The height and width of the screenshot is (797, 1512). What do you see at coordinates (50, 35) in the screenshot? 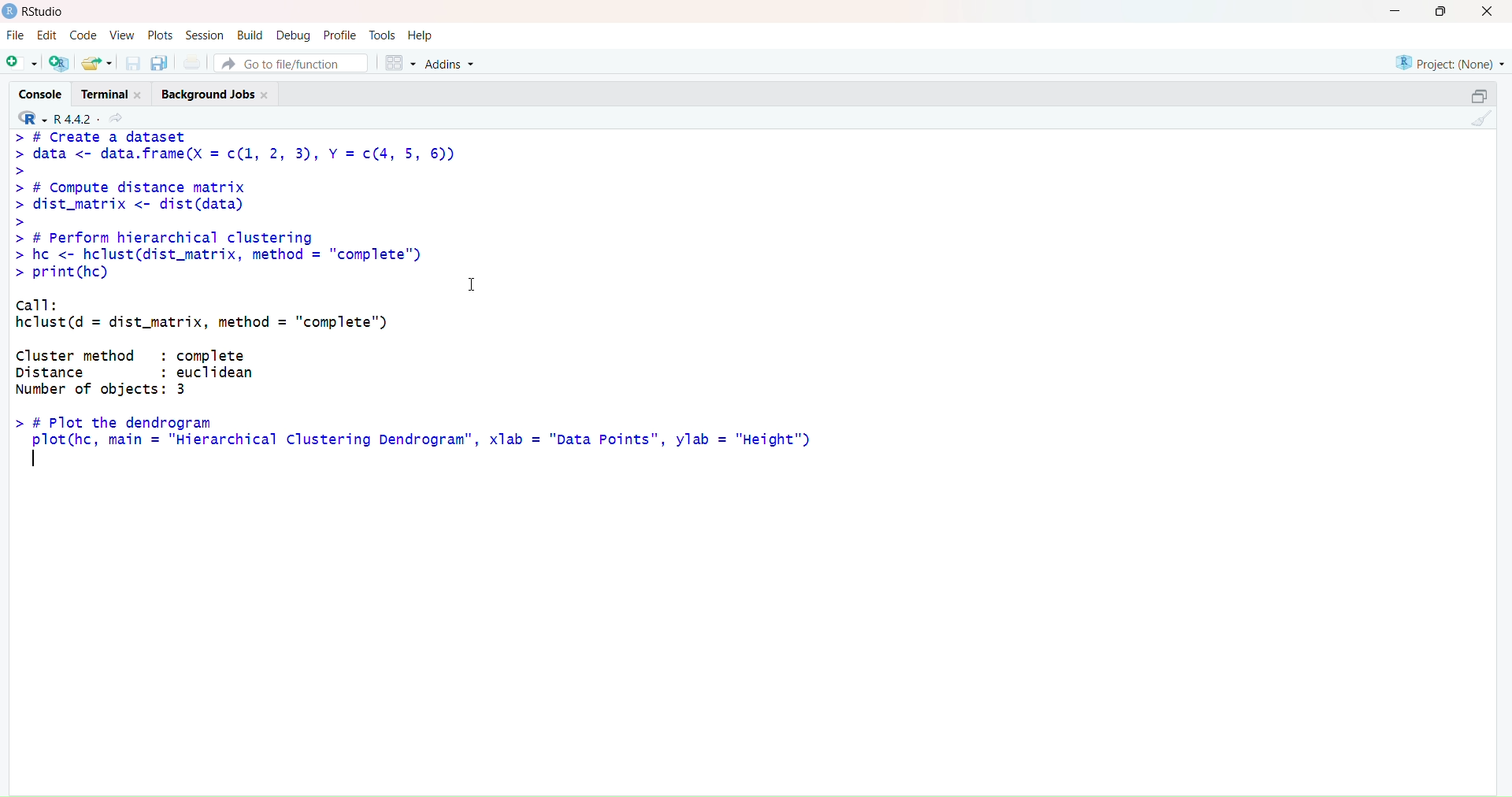
I see `Edit` at bounding box center [50, 35].